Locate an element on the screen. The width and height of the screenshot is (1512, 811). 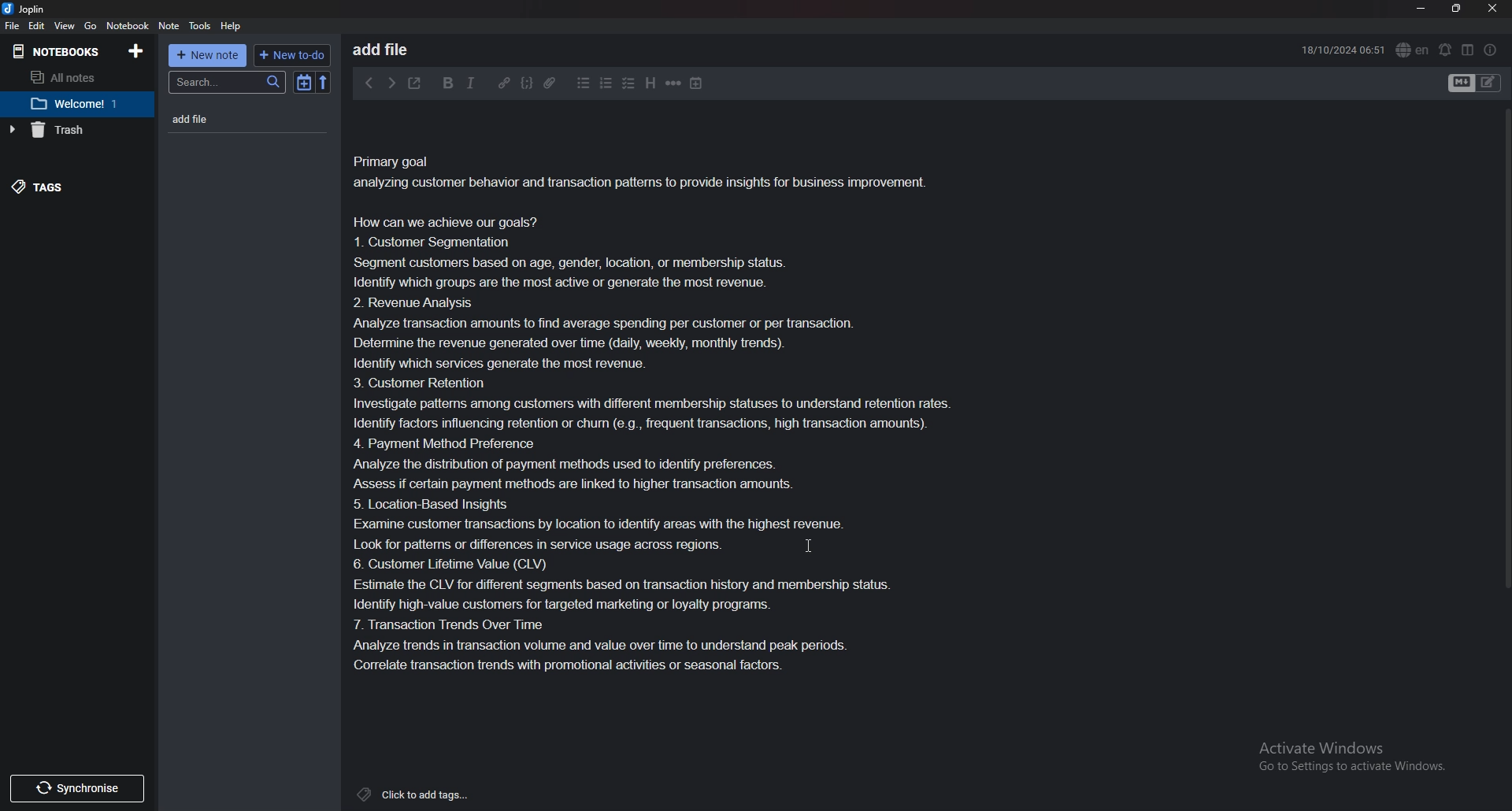
new note is located at coordinates (208, 55).